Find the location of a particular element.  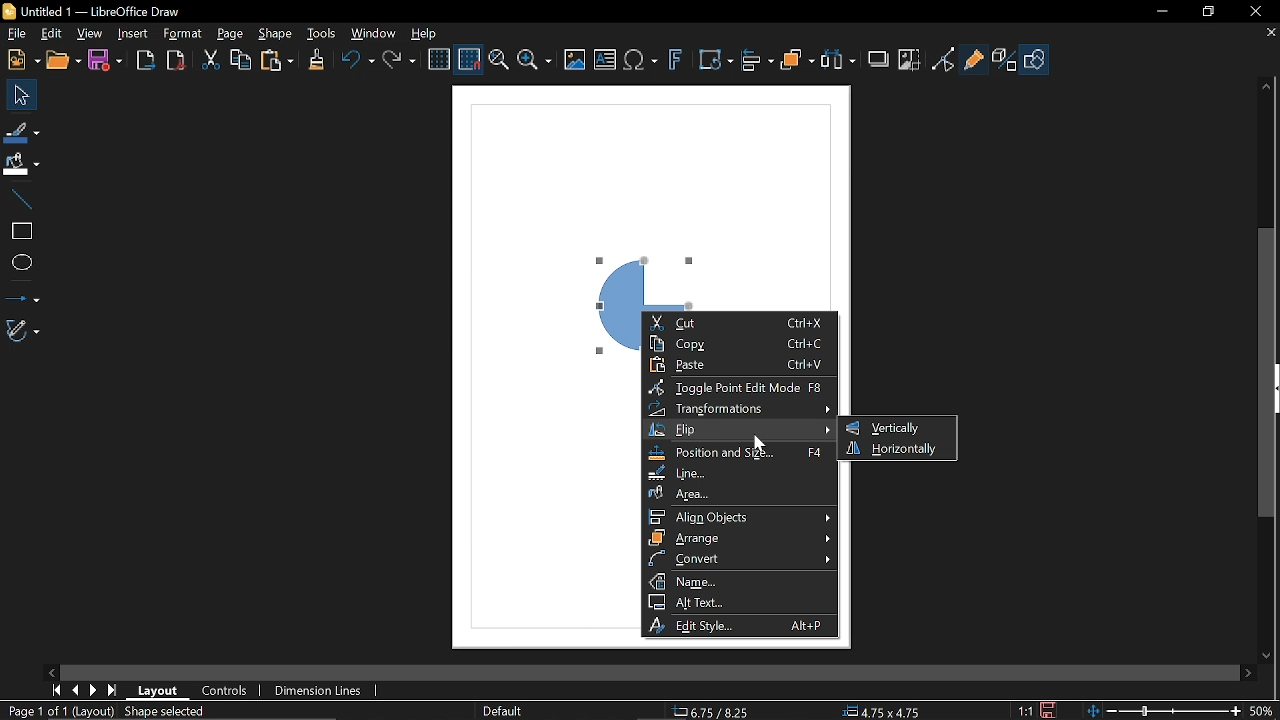

6.75/8.25(Cursor Position) is located at coordinates (711, 710).